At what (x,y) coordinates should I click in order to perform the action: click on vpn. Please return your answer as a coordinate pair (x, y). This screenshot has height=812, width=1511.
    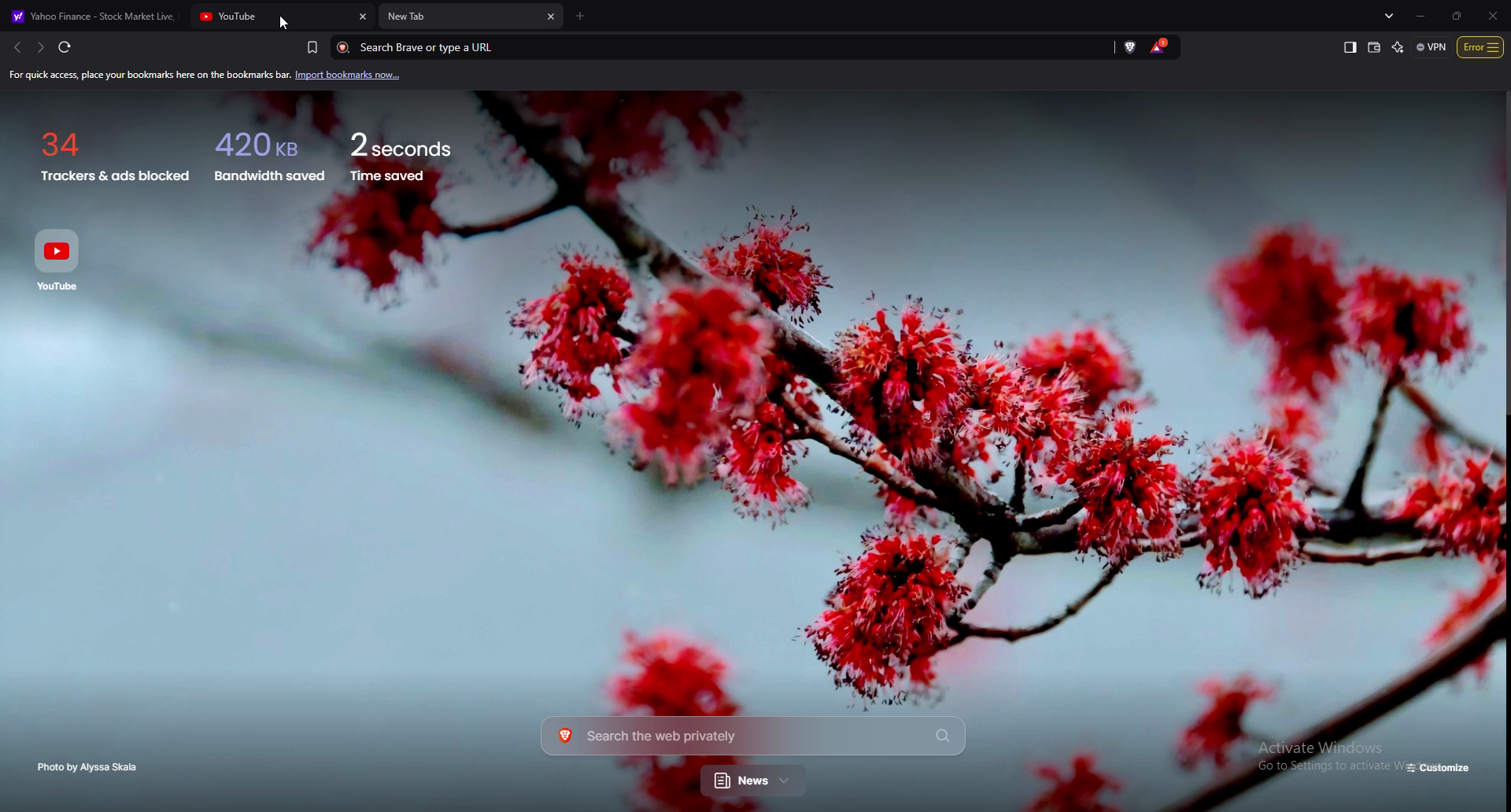
    Looking at the image, I should click on (1432, 46).